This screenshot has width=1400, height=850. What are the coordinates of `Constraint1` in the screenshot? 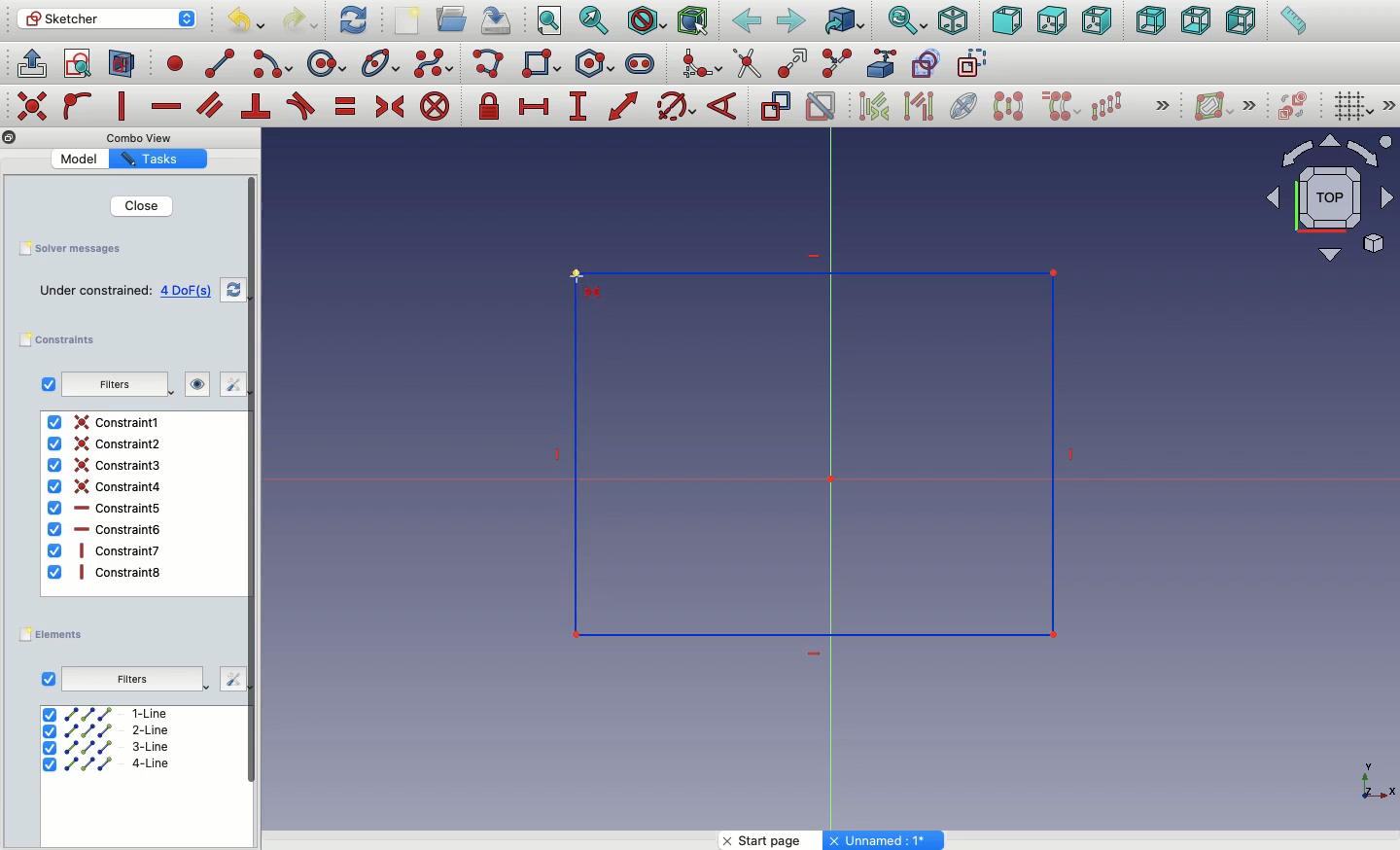 It's located at (103, 422).